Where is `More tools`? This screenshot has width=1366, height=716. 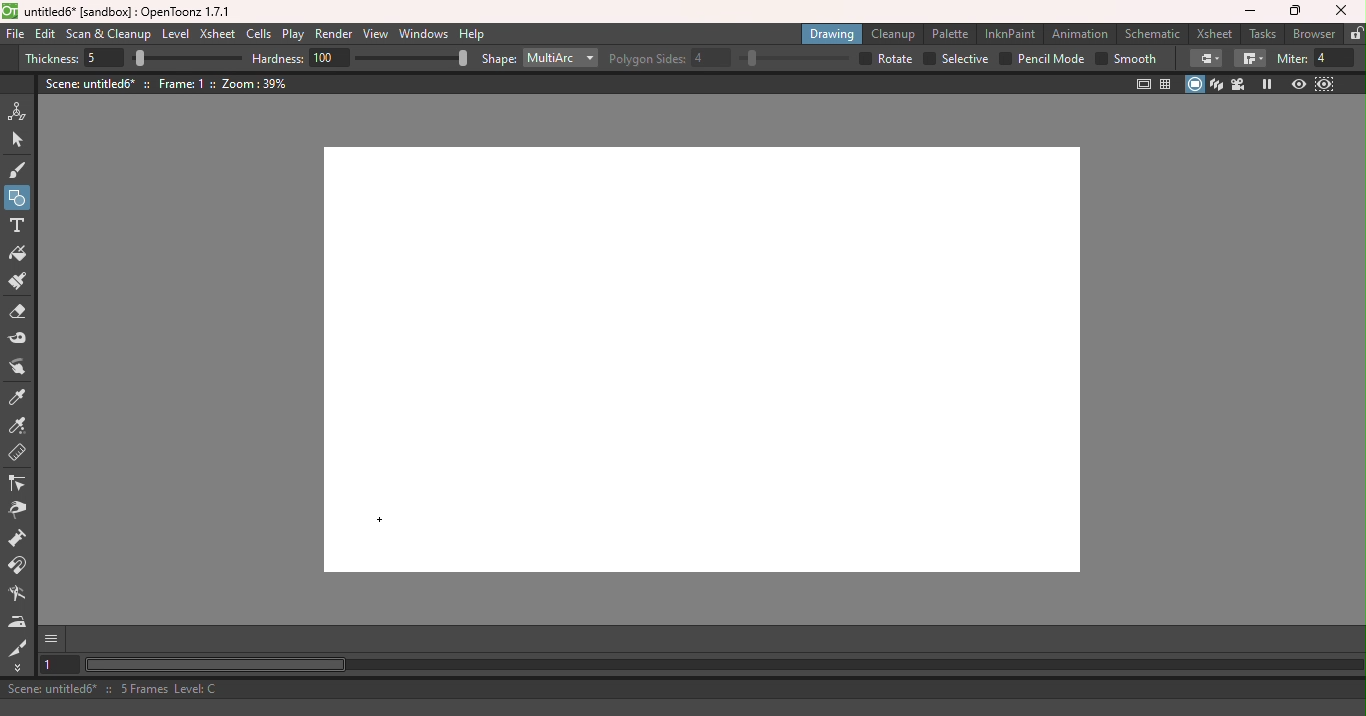 More tools is located at coordinates (18, 667).